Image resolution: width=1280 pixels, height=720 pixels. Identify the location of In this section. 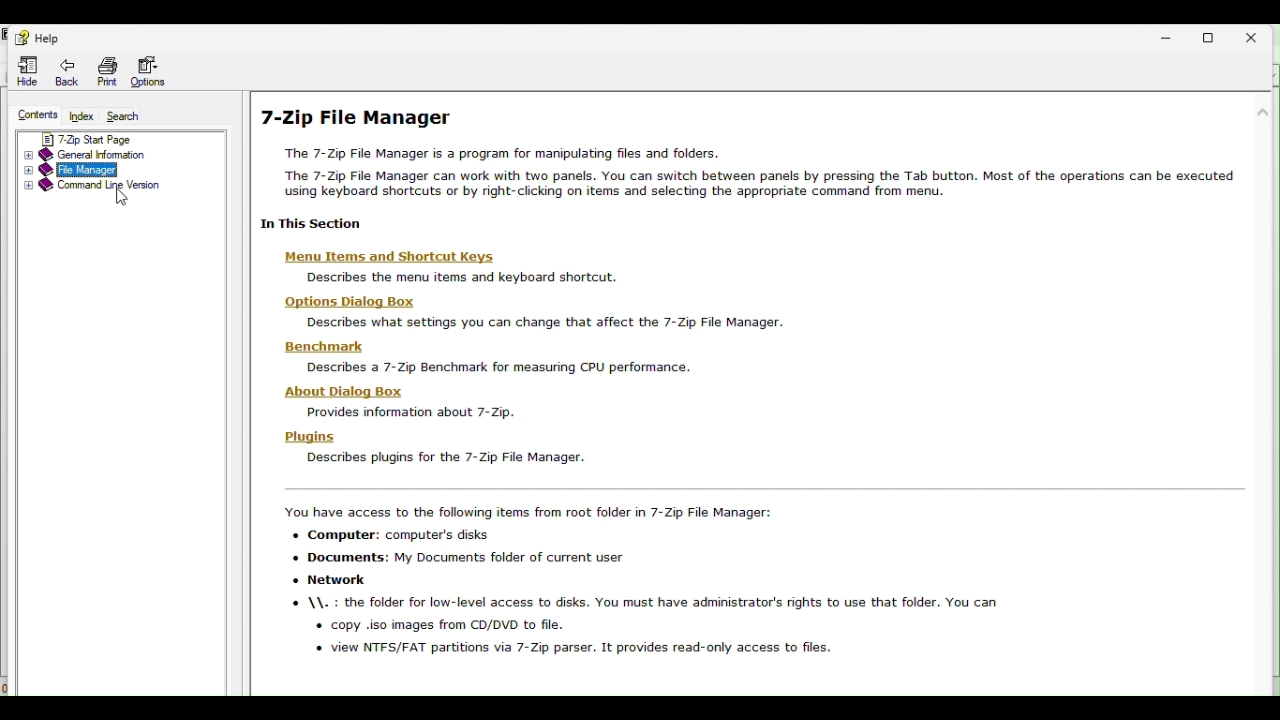
(318, 226).